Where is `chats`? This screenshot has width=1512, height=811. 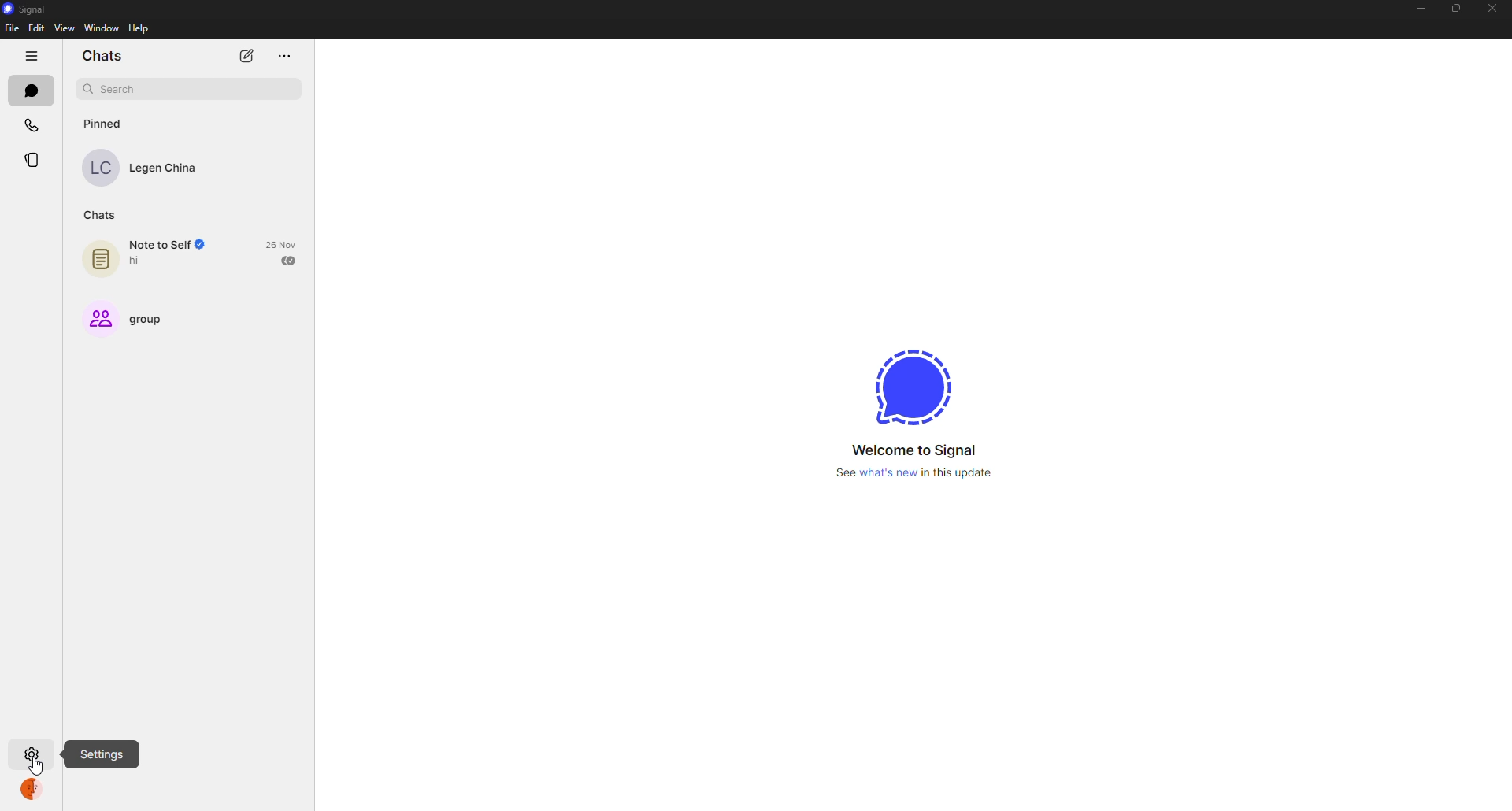 chats is located at coordinates (102, 56).